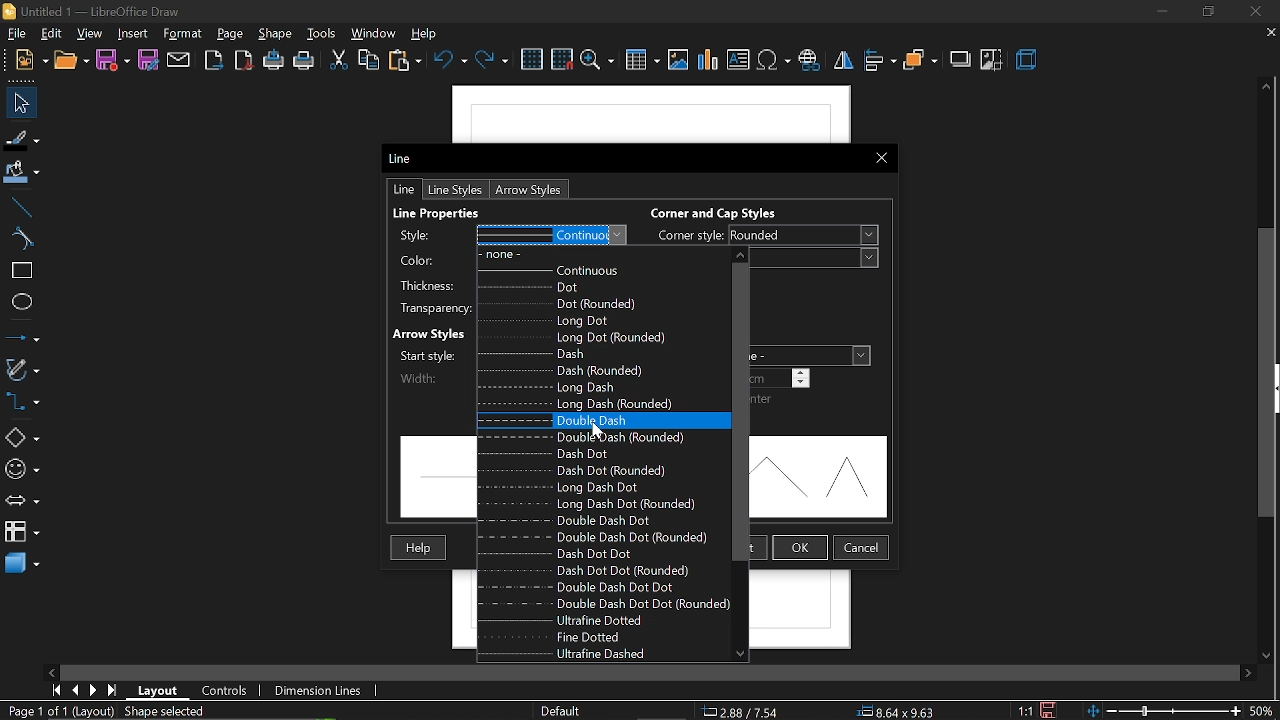  Describe the element at coordinates (273, 61) in the screenshot. I see `print directly` at that location.